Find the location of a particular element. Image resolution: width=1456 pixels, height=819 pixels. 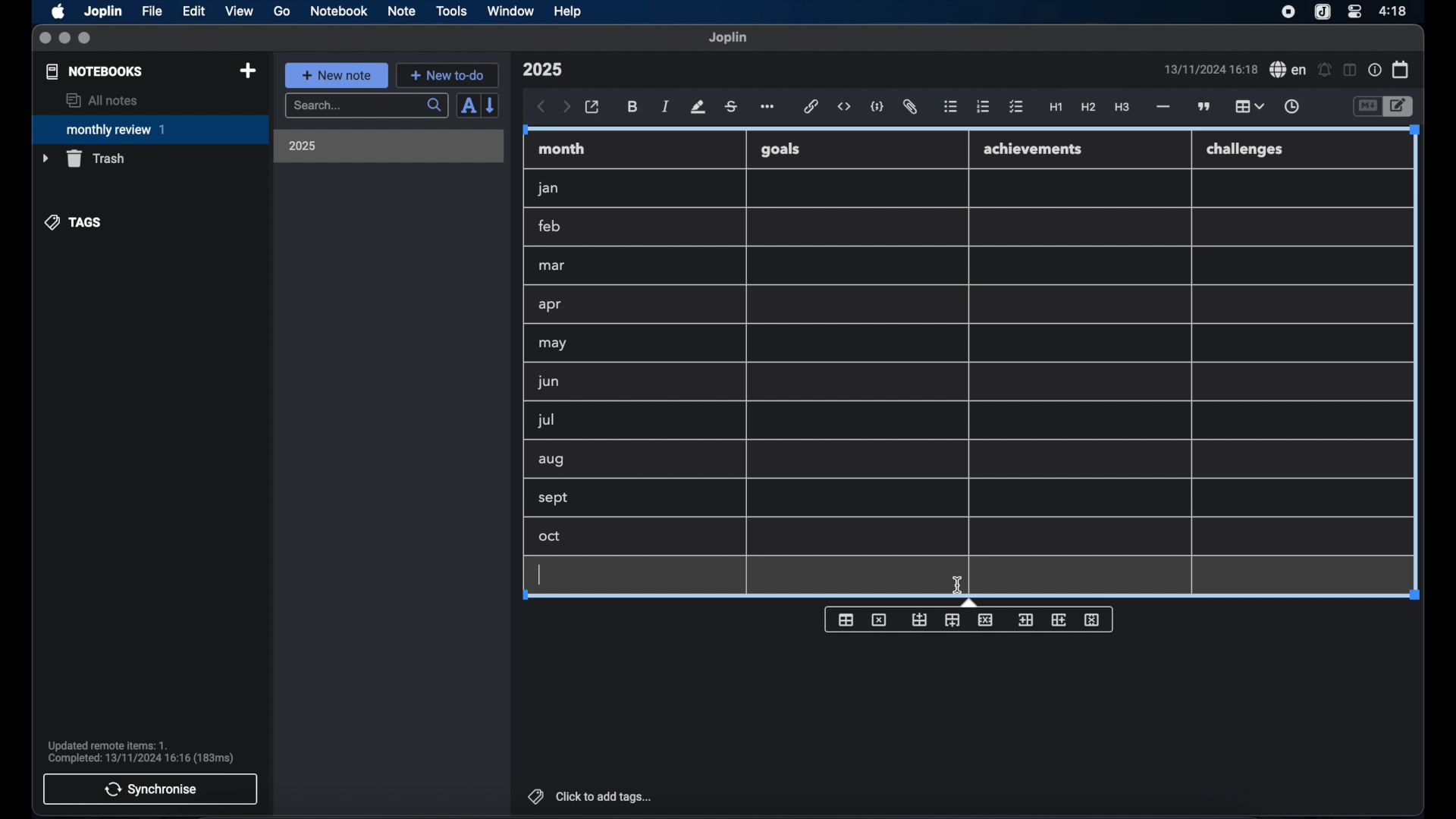

insert time is located at coordinates (1291, 107).